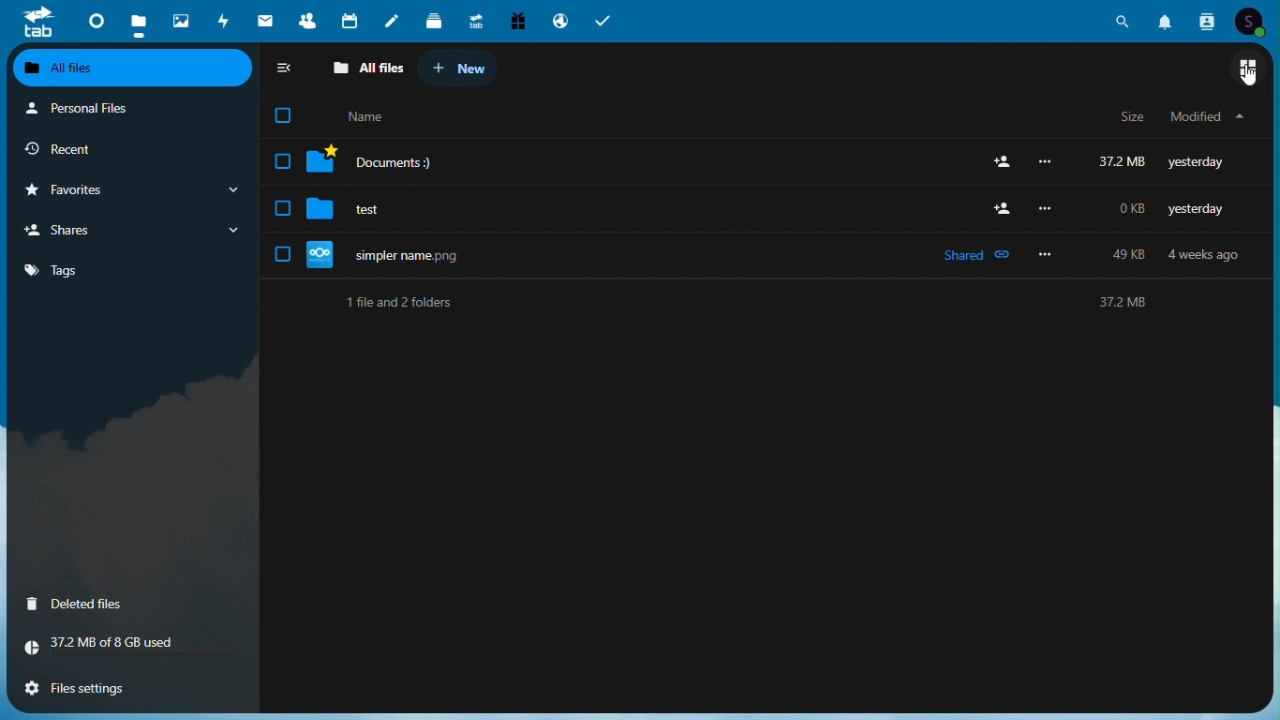  What do you see at coordinates (559, 19) in the screenshot?
I see `email hosting` at bounding box center [559, 19].